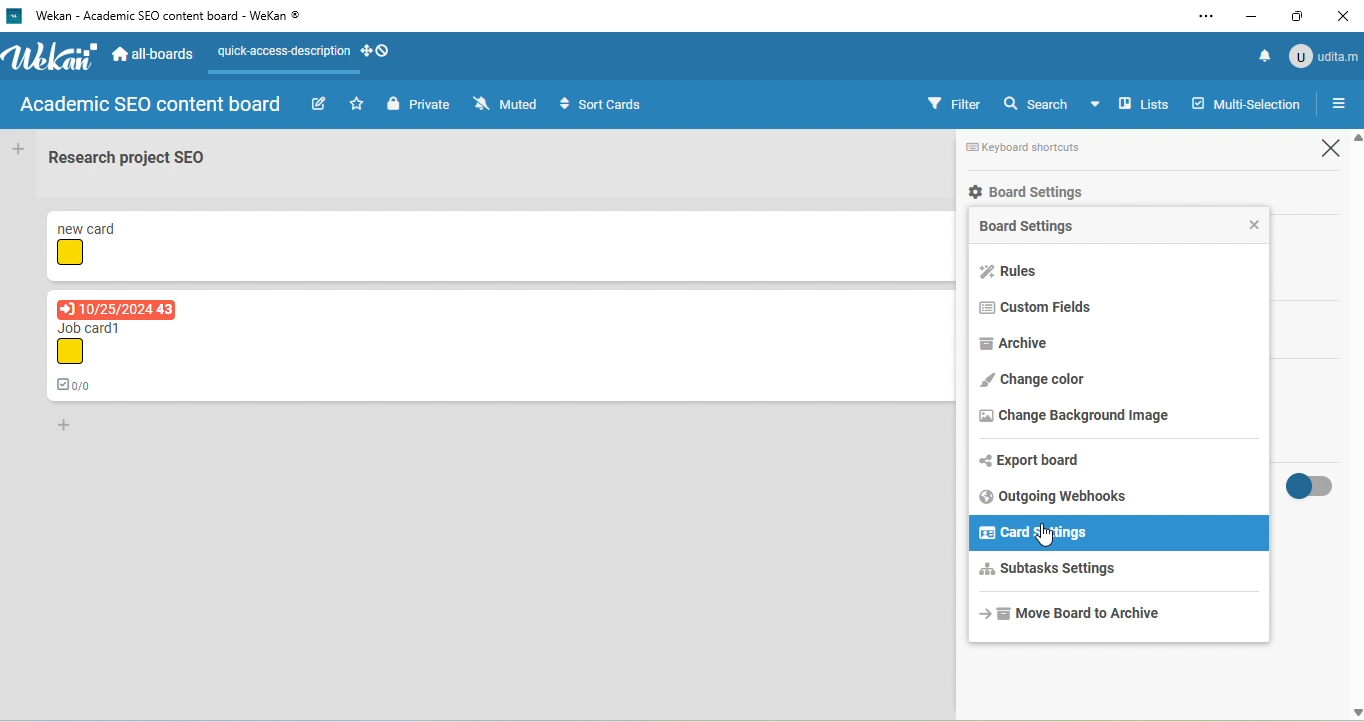 Image resolution: width=1364 pixels, height=722 pixels. I want to click on close, so click(1327, 149).